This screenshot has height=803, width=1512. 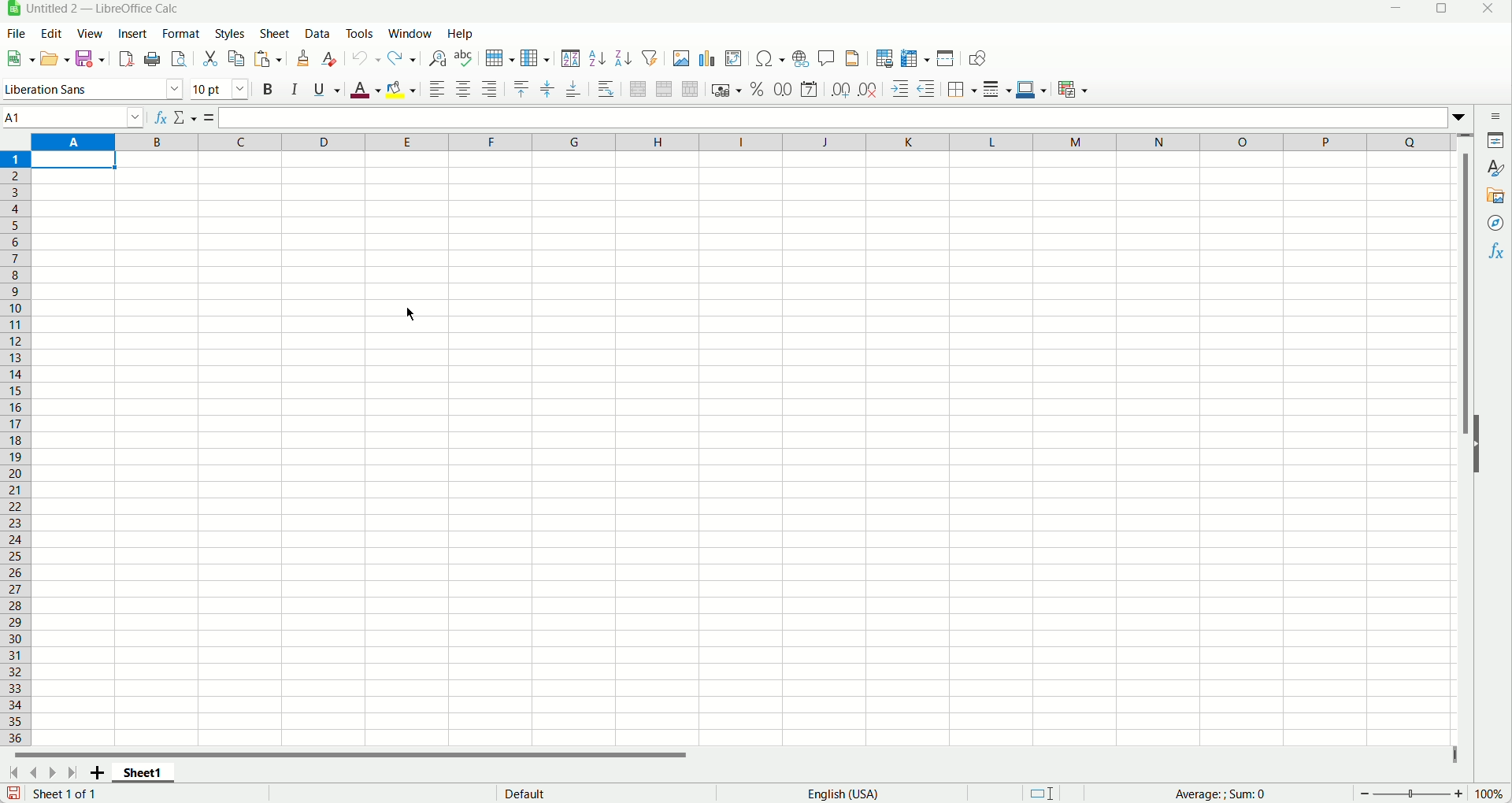 I want to click on Help, so click(x=461, y=33).